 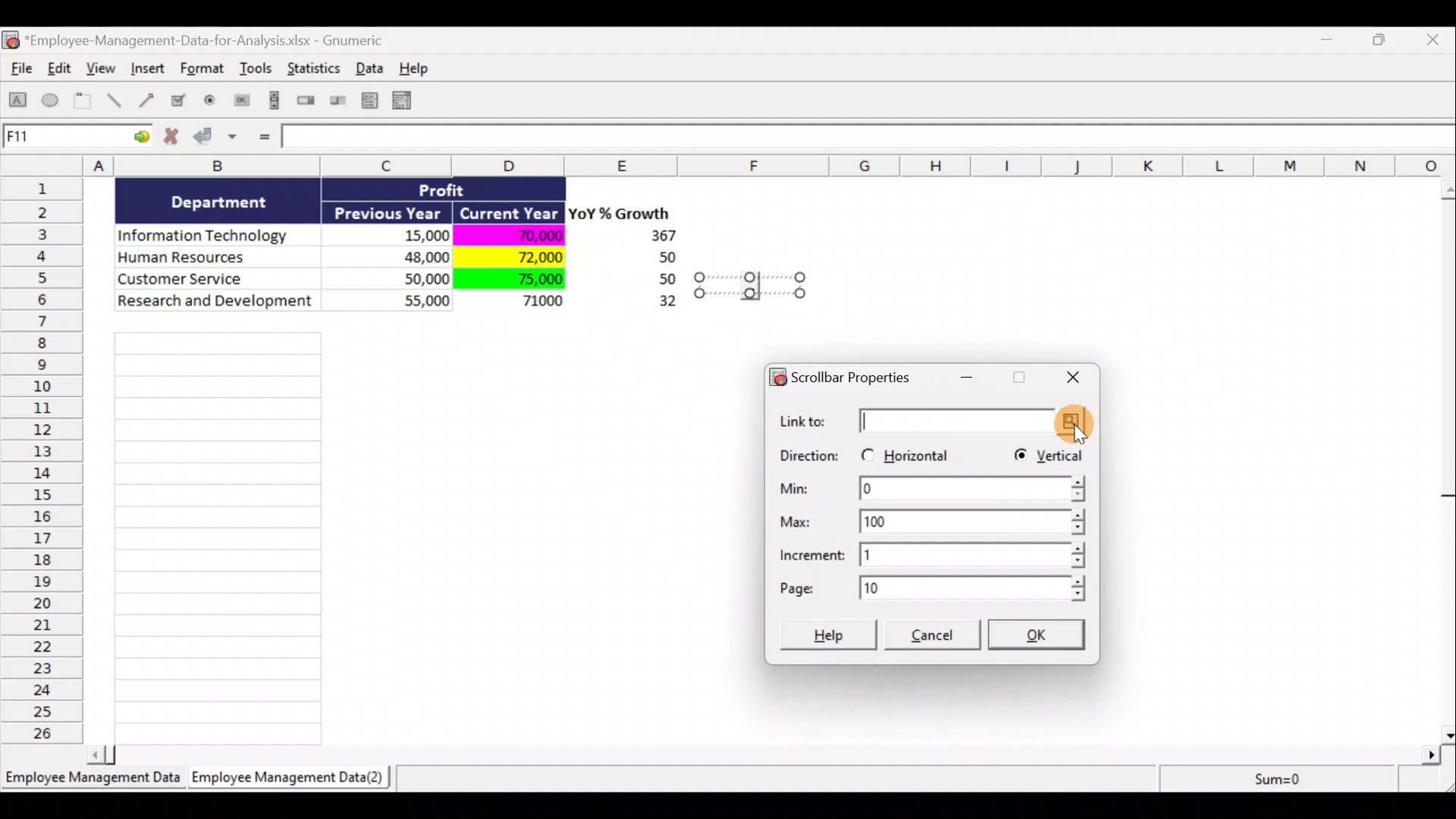 I want to click on Help, so click(x=422, y=68).